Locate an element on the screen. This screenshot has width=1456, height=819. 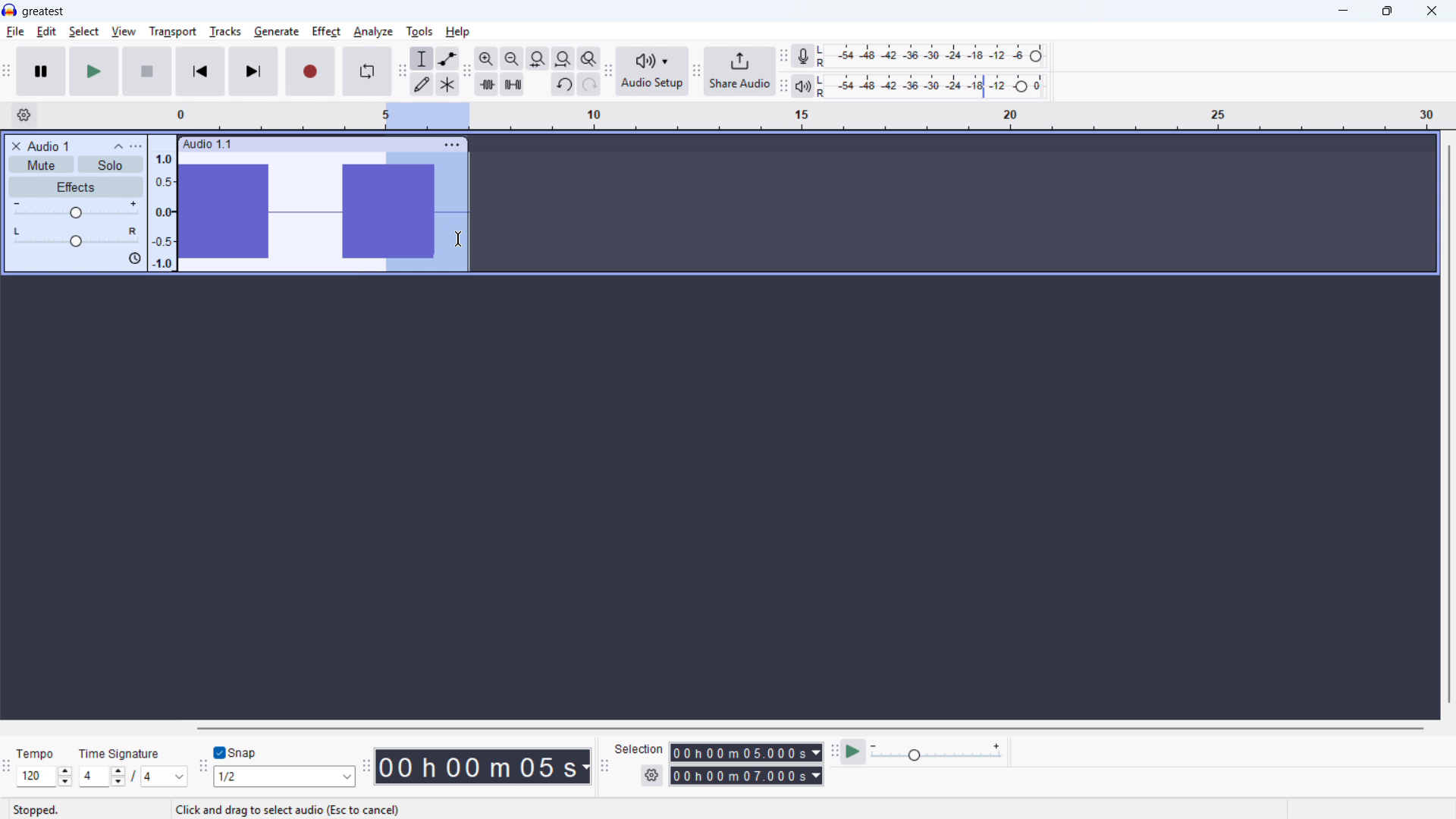
Zoom out  is located at coordinates (513, 59).